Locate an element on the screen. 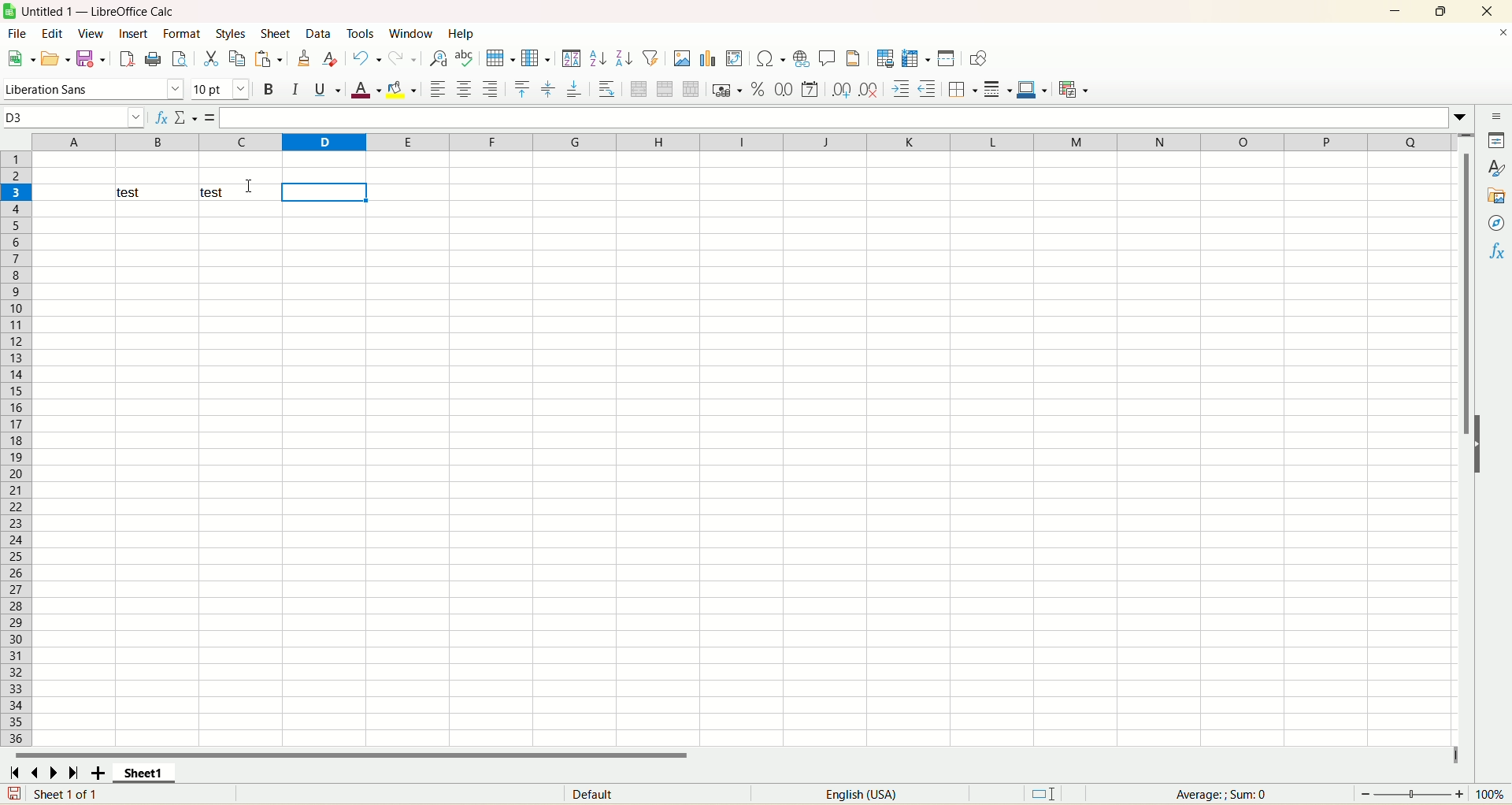 The height and width of the screenshot is (805, 1512). row number is located at coordinates (16, 474).